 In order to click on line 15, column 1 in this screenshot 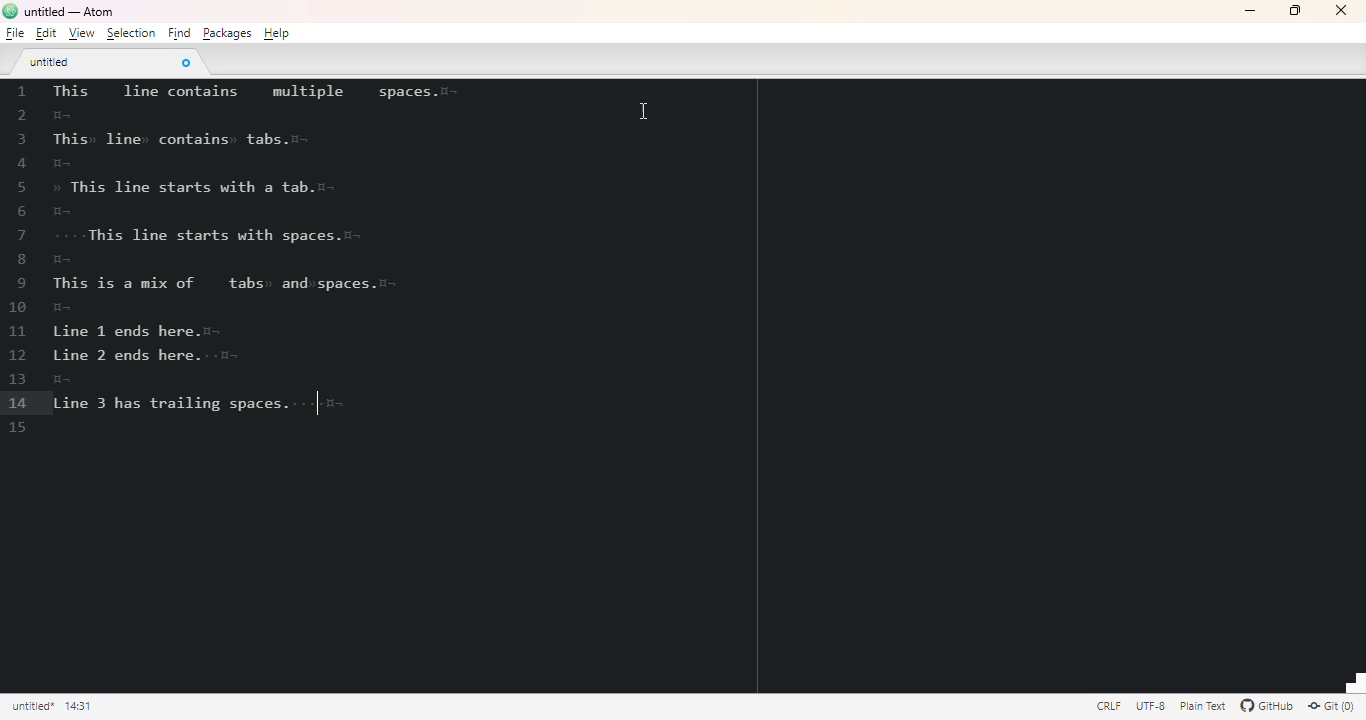, I will do `click(76, 705)`.